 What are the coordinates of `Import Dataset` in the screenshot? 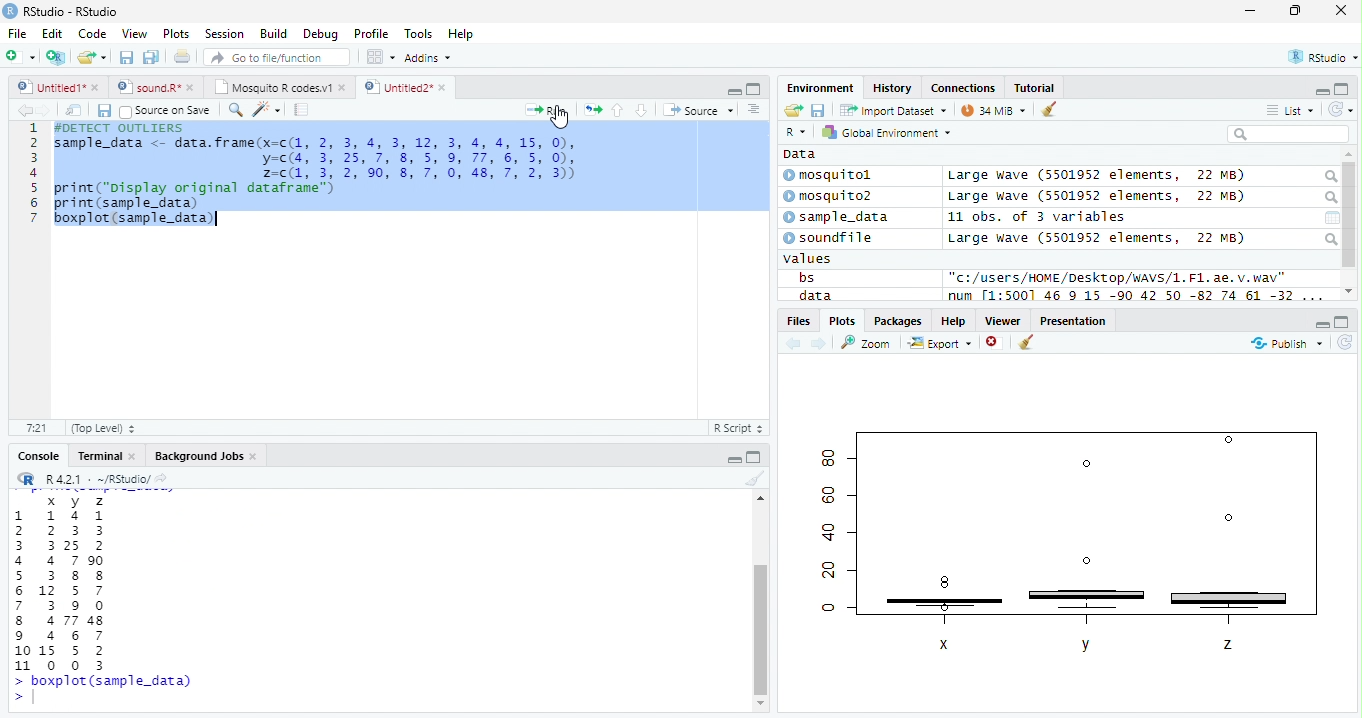 It's located at (893, 111).